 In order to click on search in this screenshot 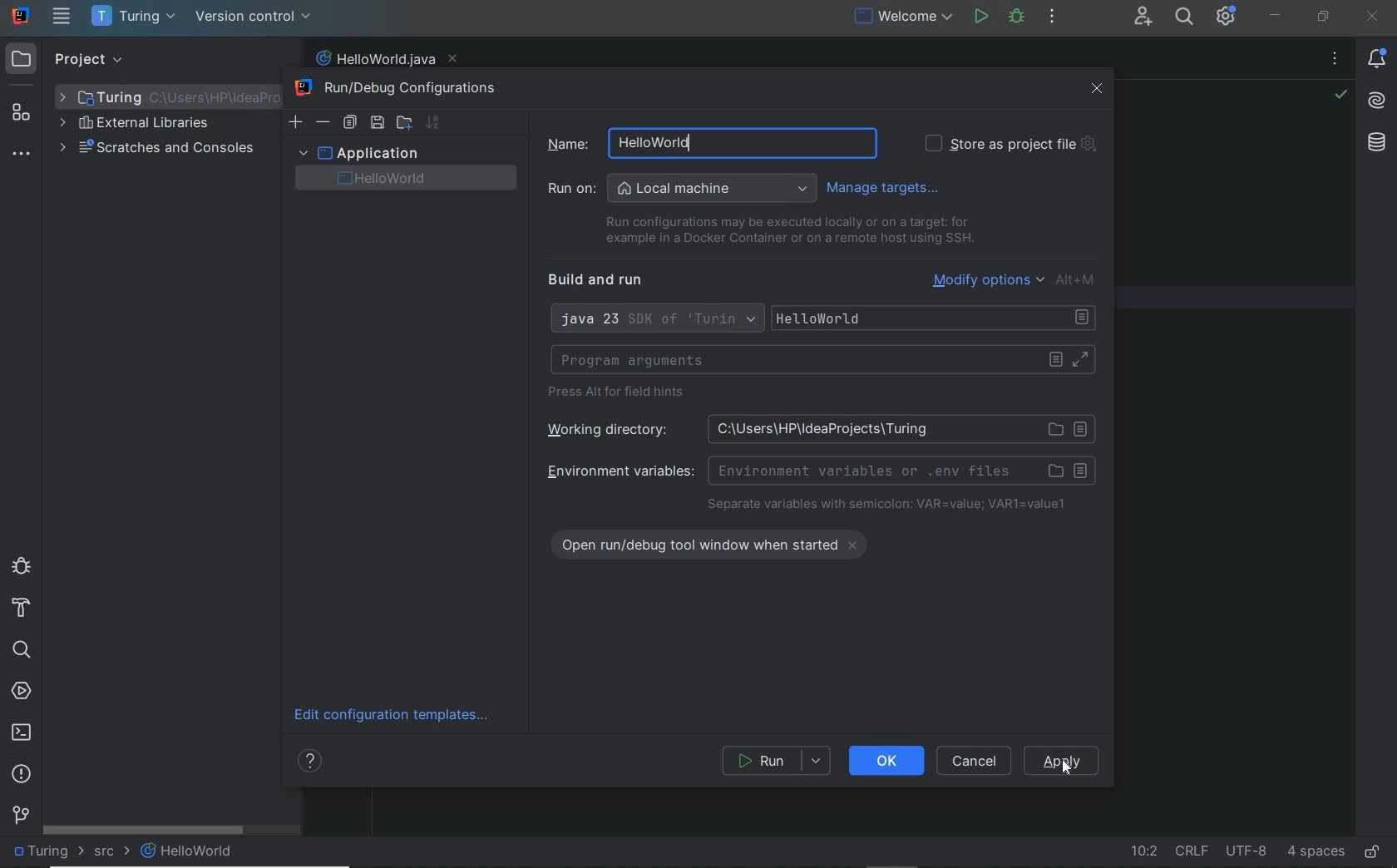, I will do `click(21, 650)`.